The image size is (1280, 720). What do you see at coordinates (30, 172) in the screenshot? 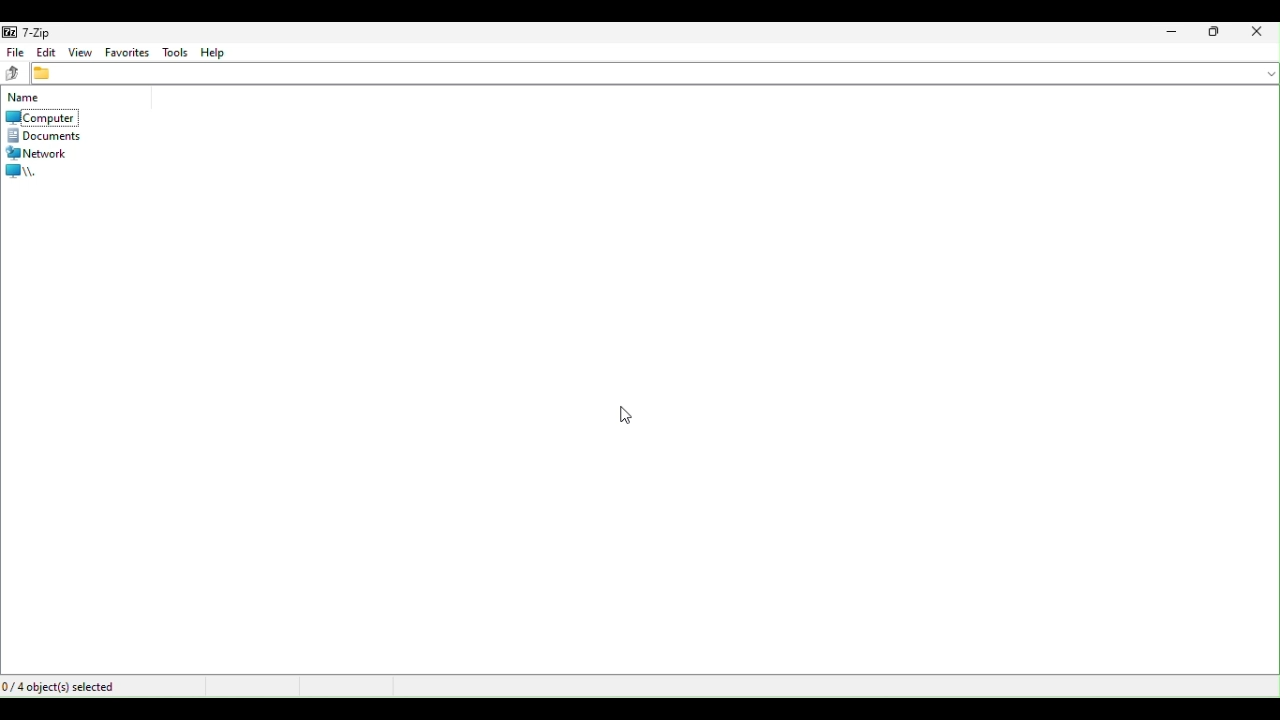
I see `root` at bounding box center [30, 172].